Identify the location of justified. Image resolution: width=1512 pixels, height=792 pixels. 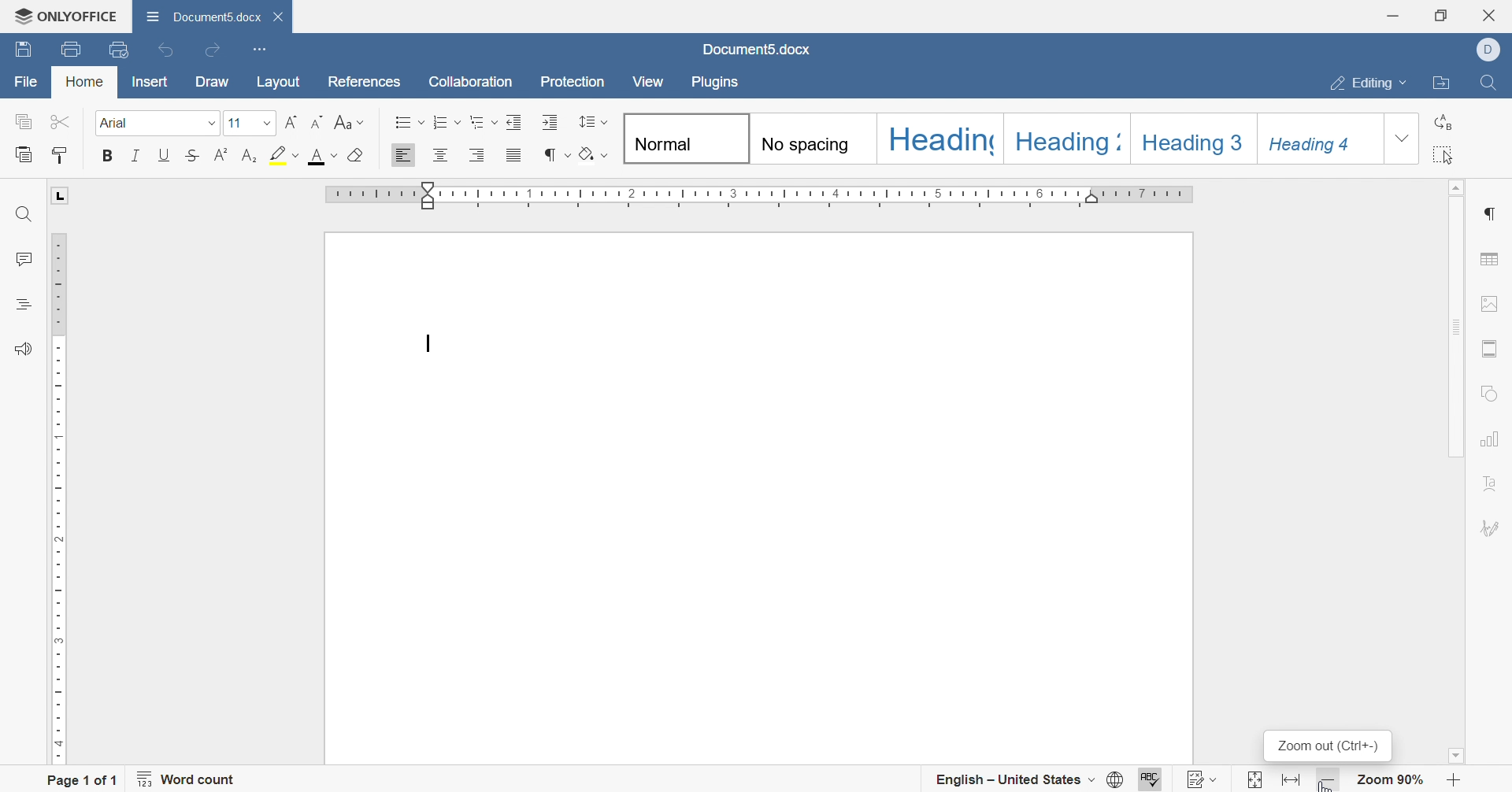
(513, 155).